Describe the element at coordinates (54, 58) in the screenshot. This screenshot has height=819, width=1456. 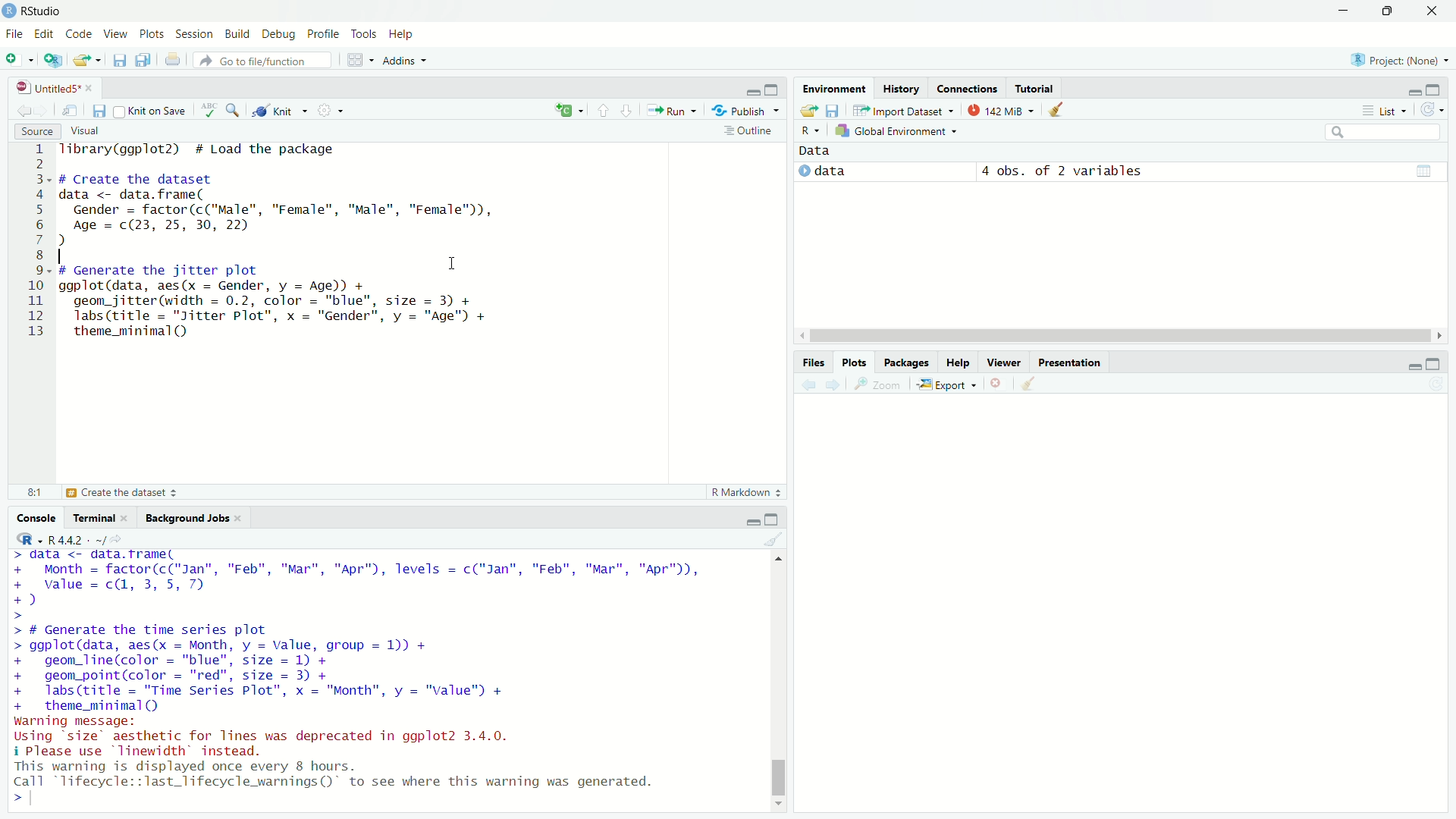
I see `create a project` at that location.